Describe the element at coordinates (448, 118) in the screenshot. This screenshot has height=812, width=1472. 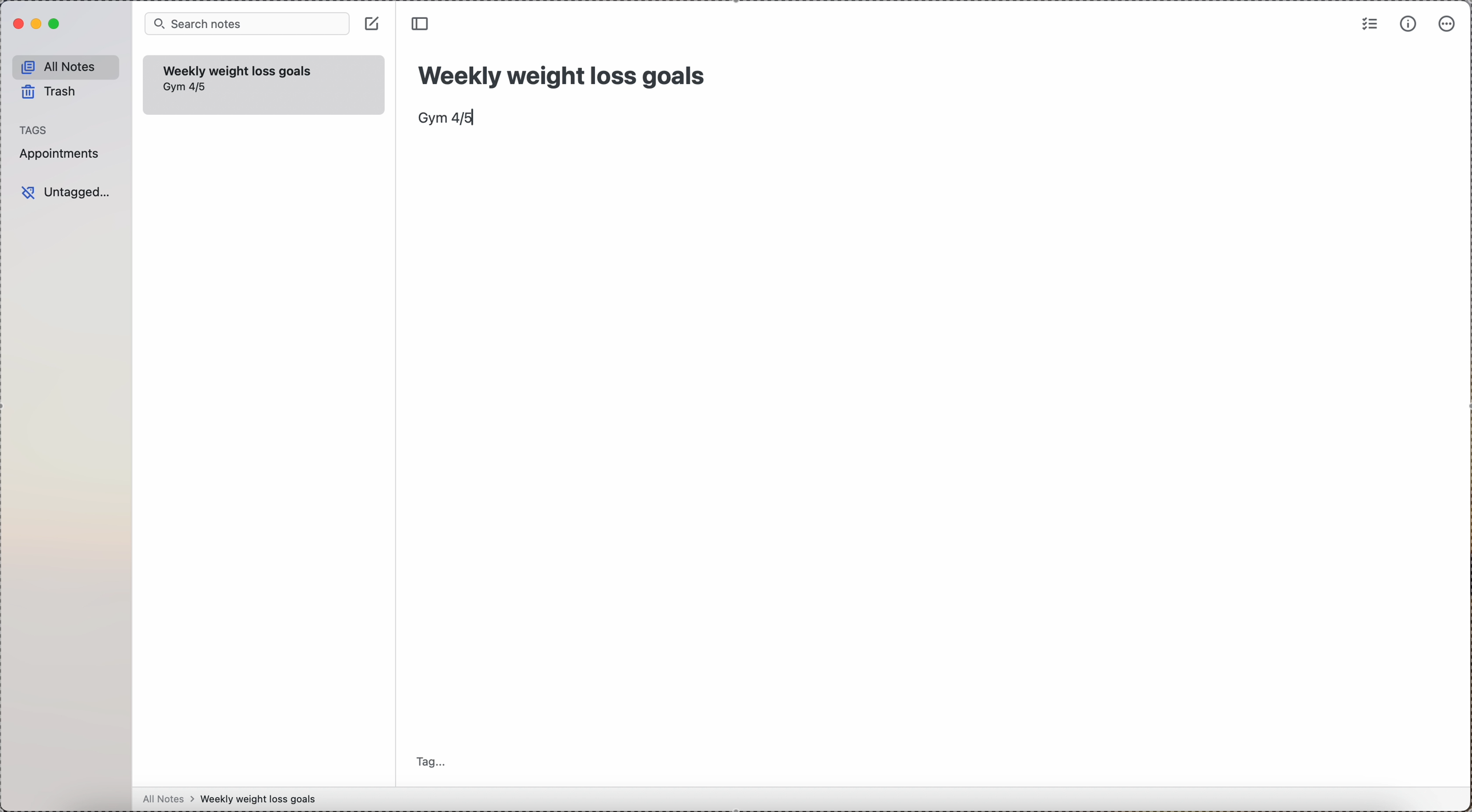
I see `Gym 4/5` at that location.